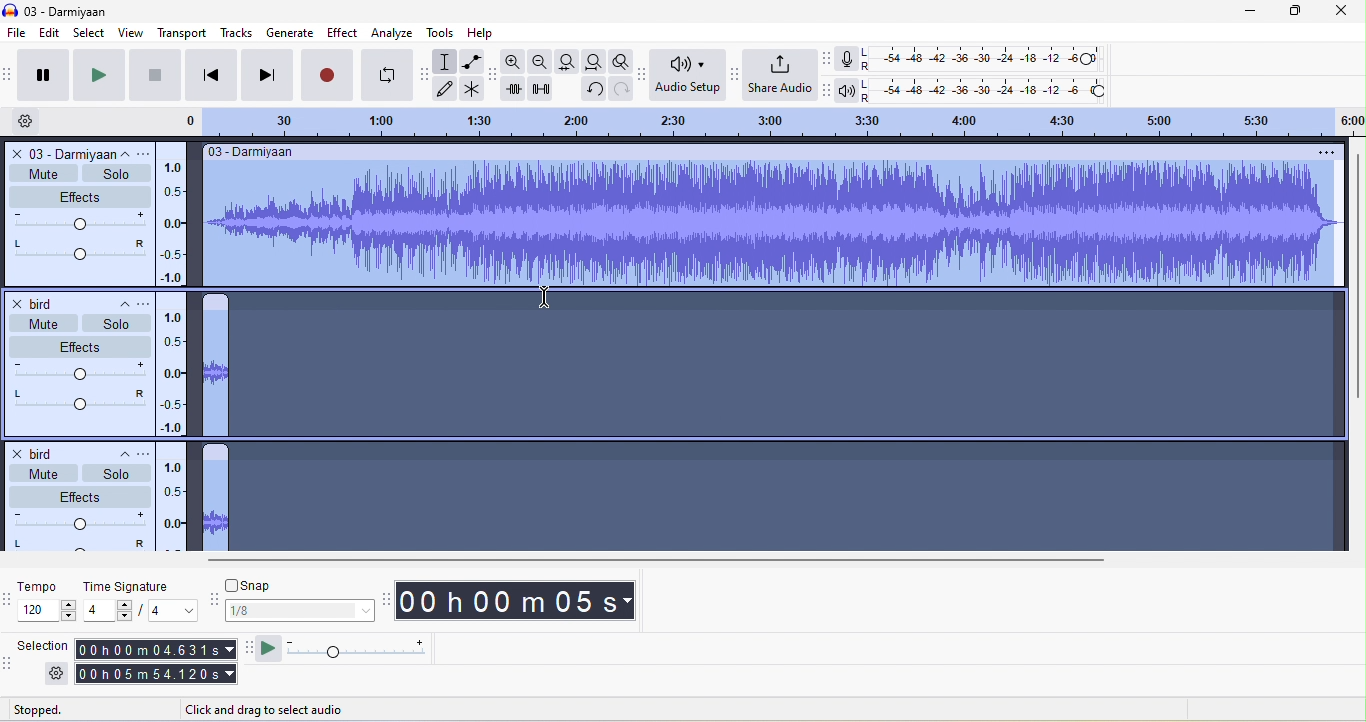 Image resolution: width=1366 pixels, height=722 pixels. I want to click on click and drag to define a looping region, so click(759, 122).